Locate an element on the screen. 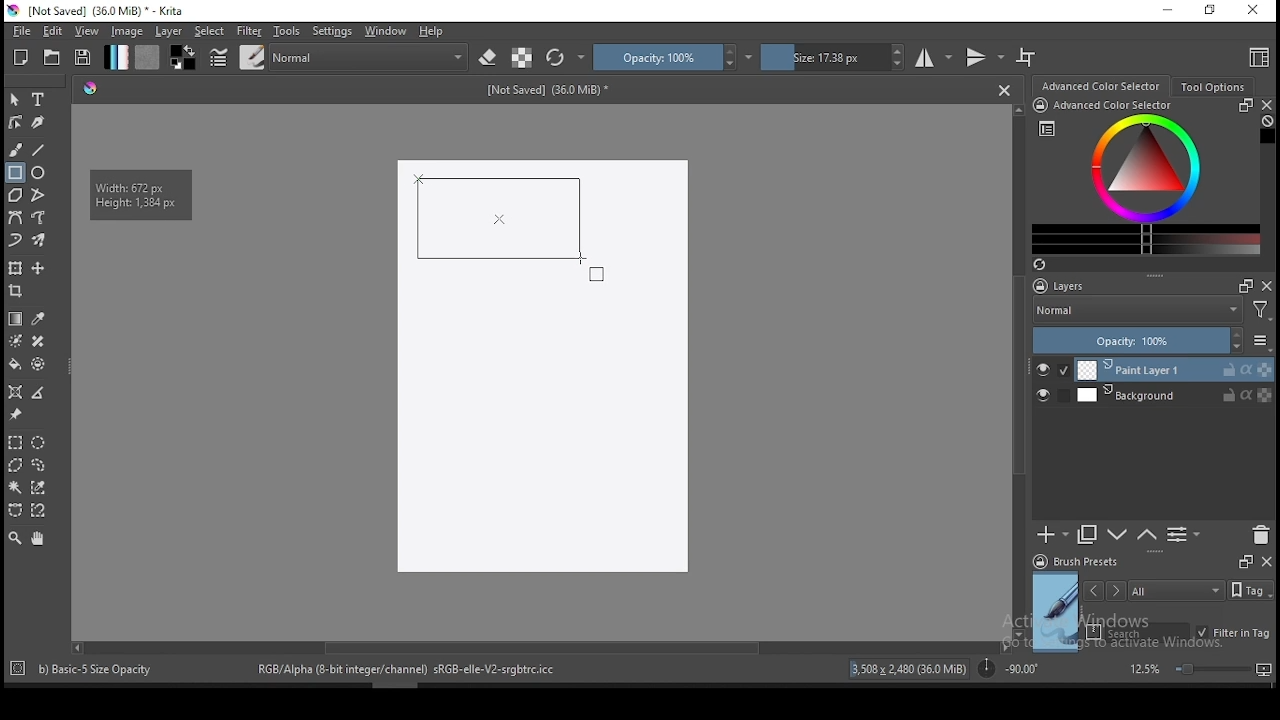  file is located at coordinates (21, 31).